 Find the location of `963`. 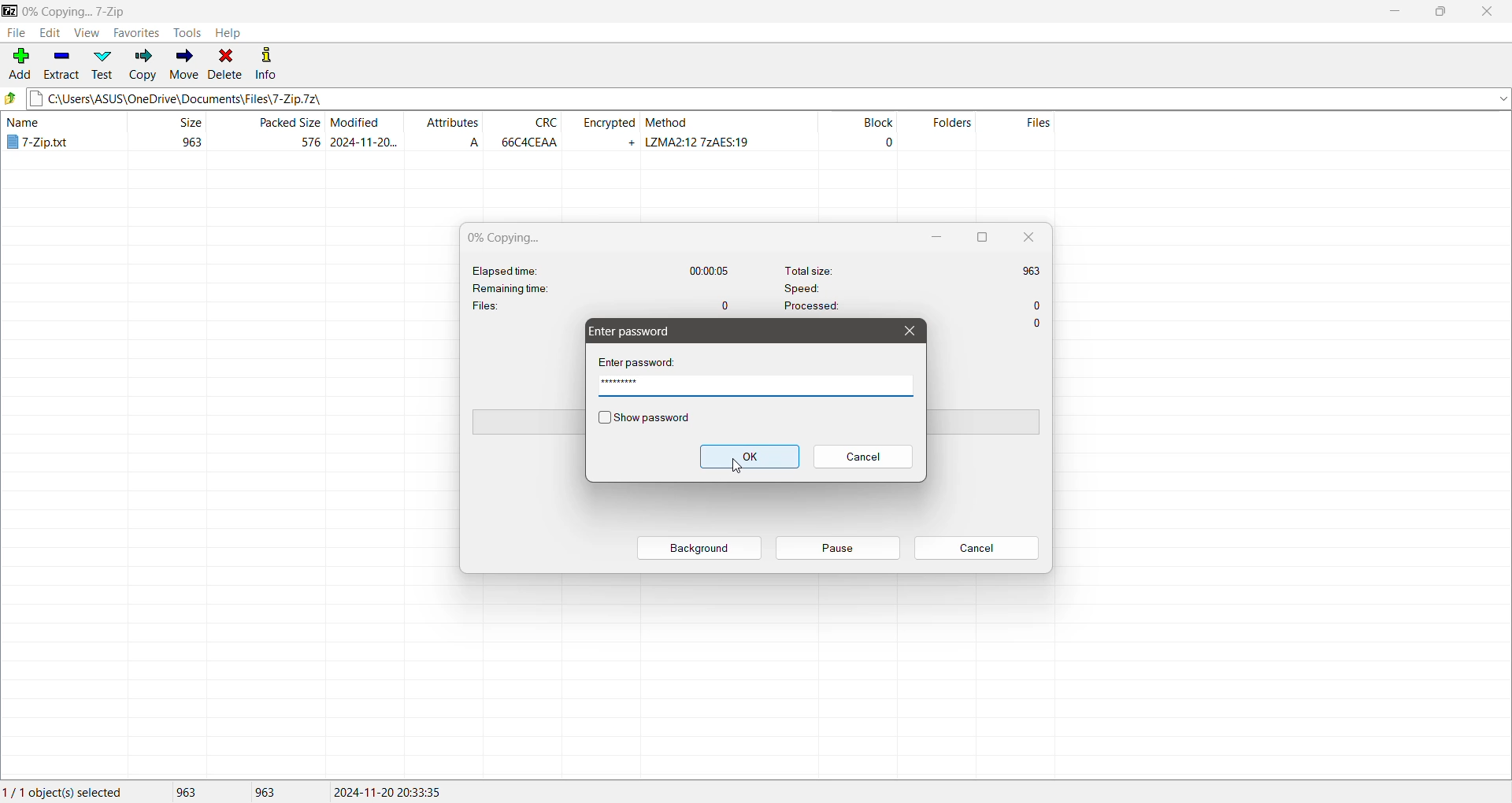

963 is located at coordinates (272, 792).